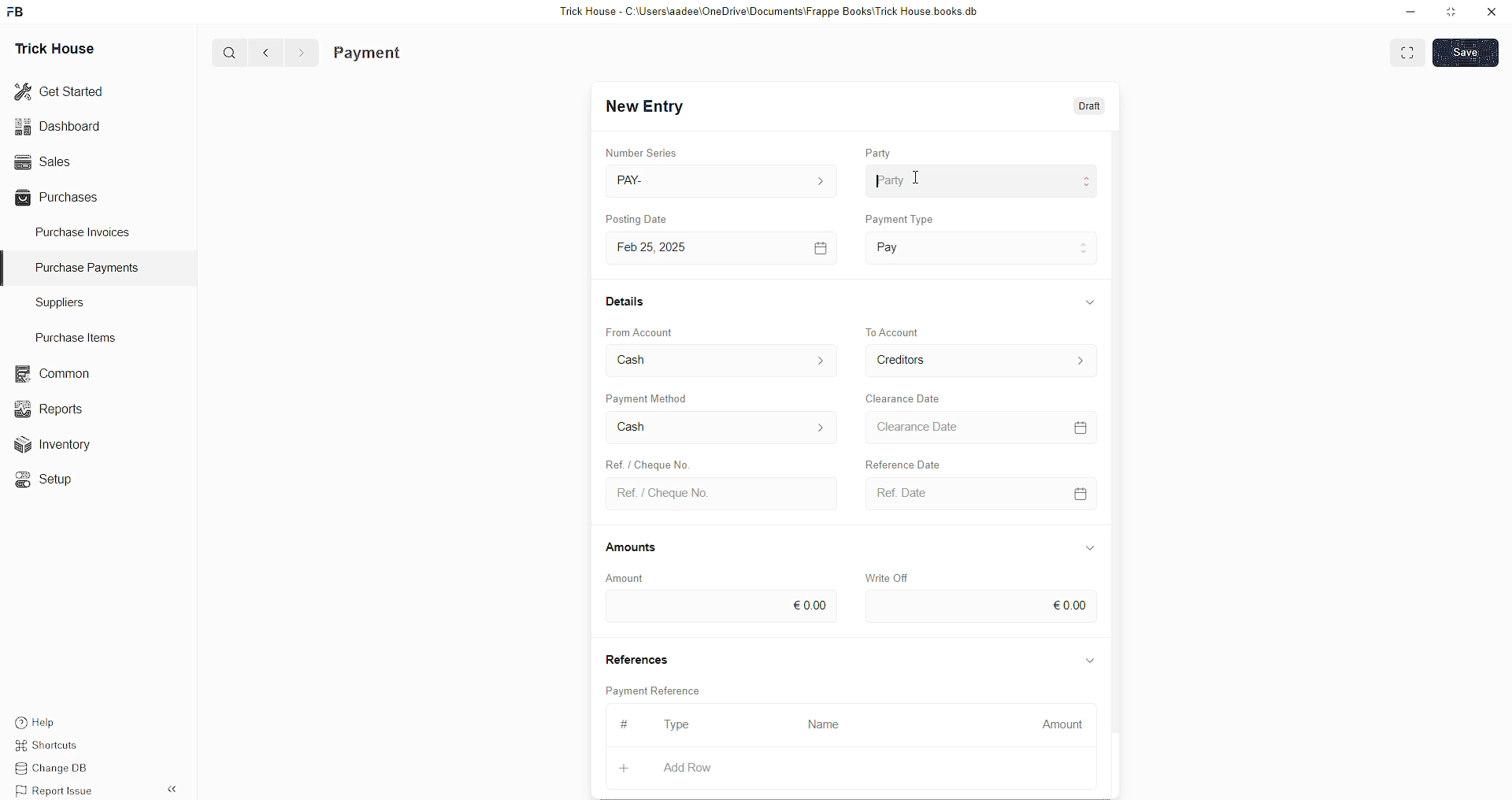 This screenshot has height=800, width=1512. What do you see at coordinates (83, 268) in the screenshot?
I see `Purchase PaymenTS` at bounding box center [83, 268].